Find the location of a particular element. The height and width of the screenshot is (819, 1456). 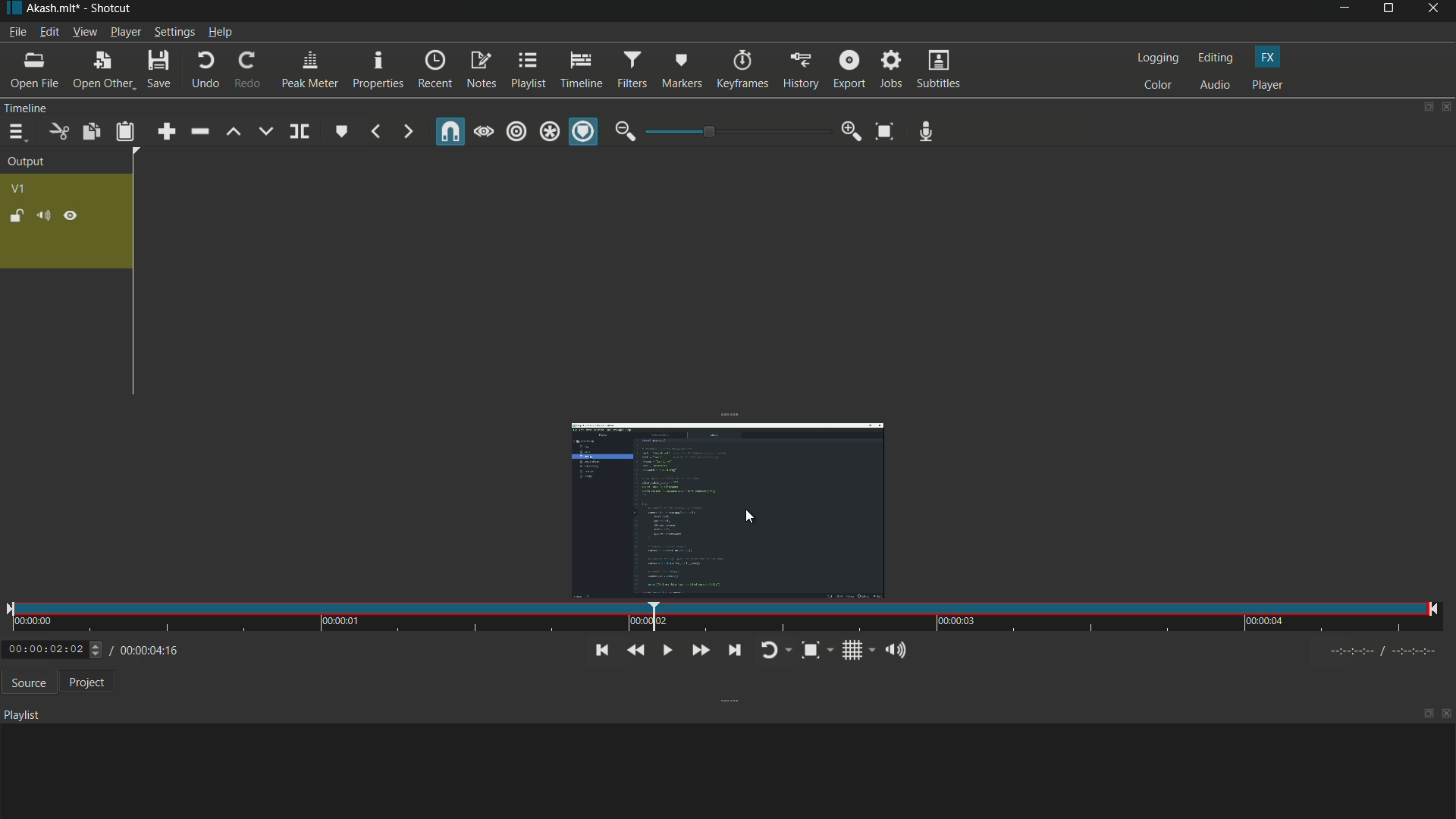

keyframes is located at coordinates (741, 70).